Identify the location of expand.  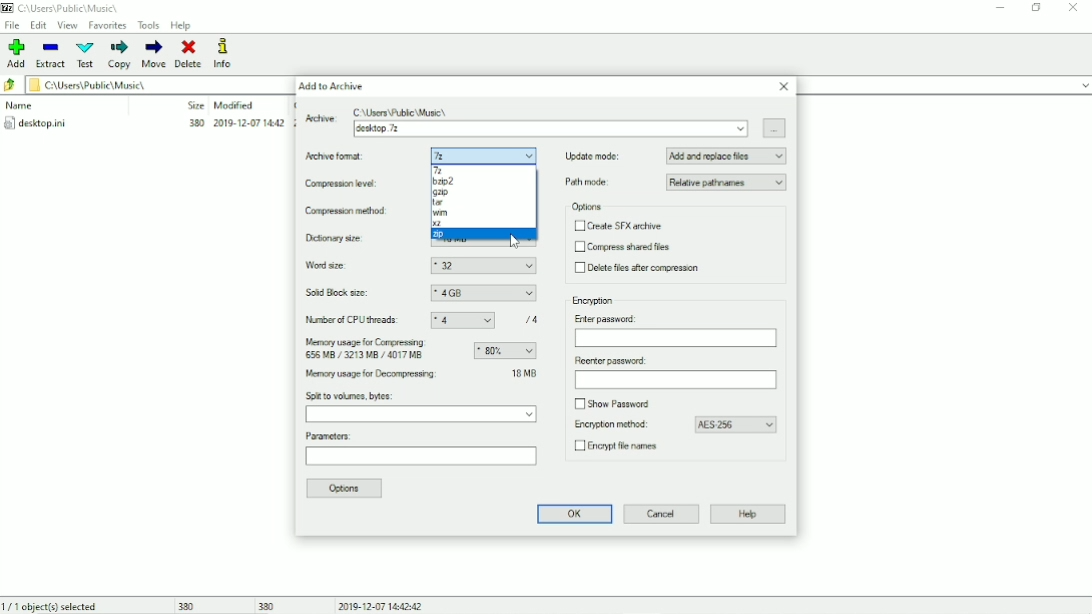
(1084, 86).